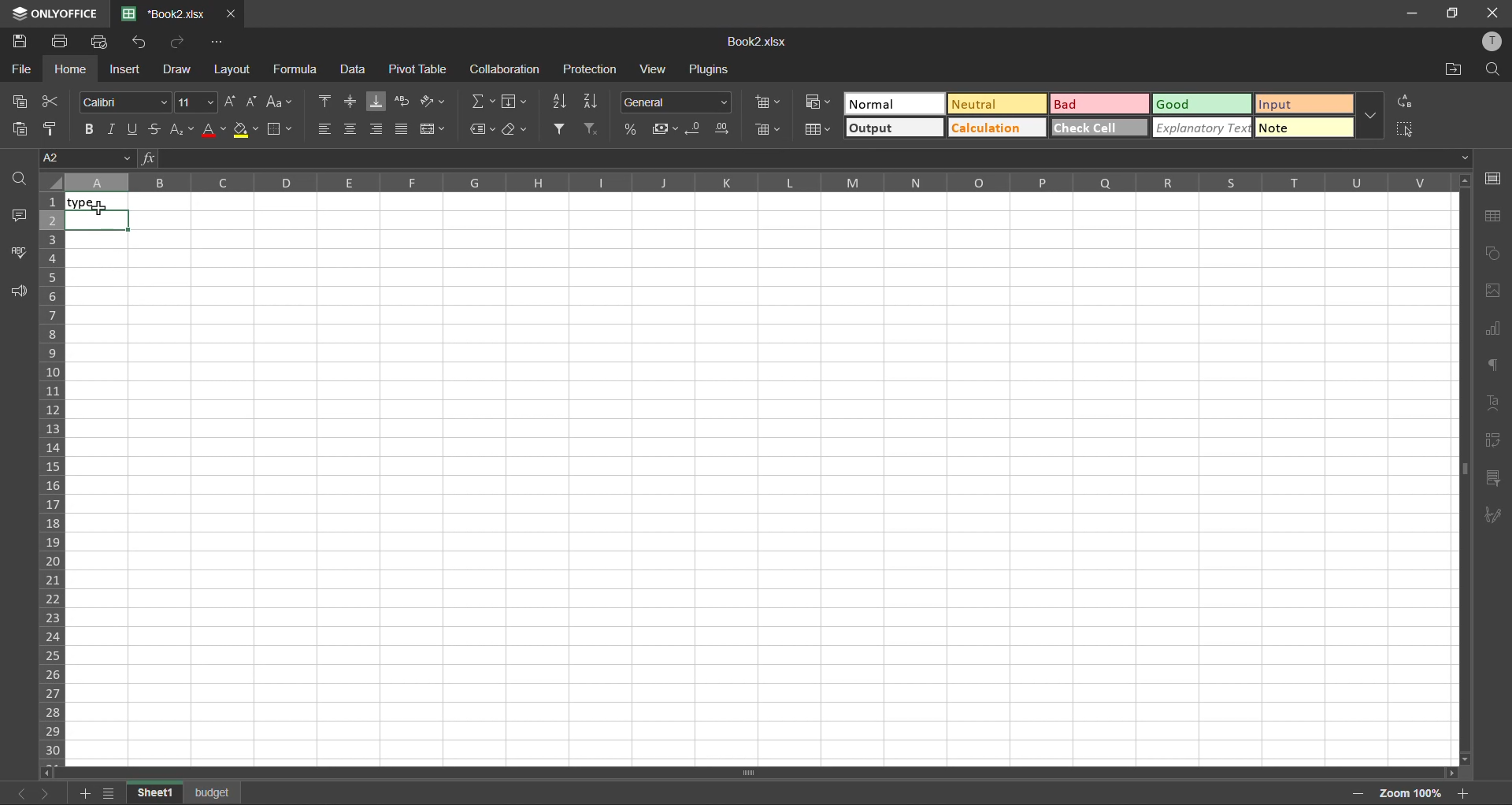 The height and width of the screenshot is (805, 1512). What do you see at coordinates (1371, 115) in the screenshot?
I see `more options` at bounding box center [1371, 115].